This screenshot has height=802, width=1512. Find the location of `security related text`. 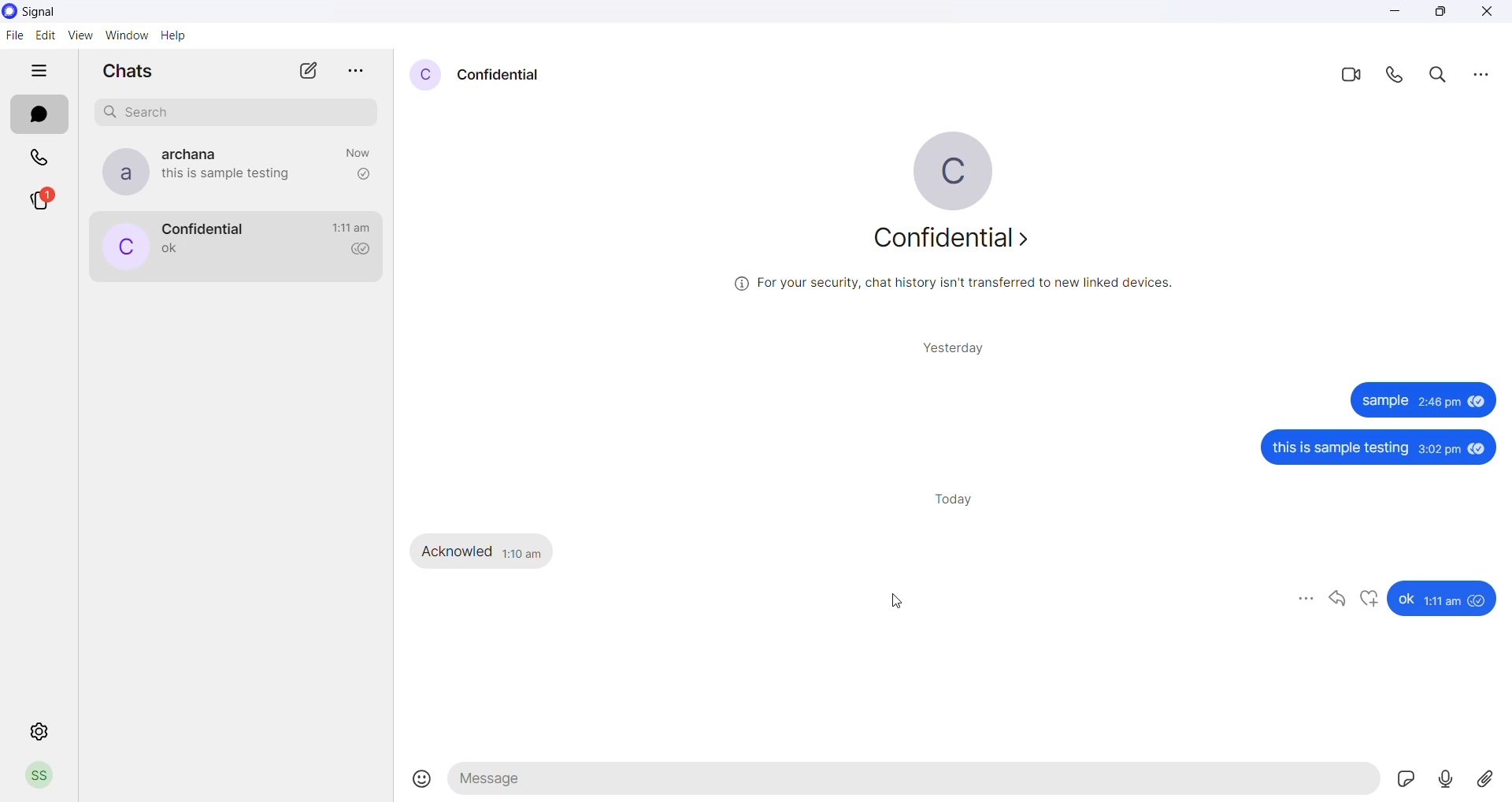

security related text is located at coordinates (962, 284).